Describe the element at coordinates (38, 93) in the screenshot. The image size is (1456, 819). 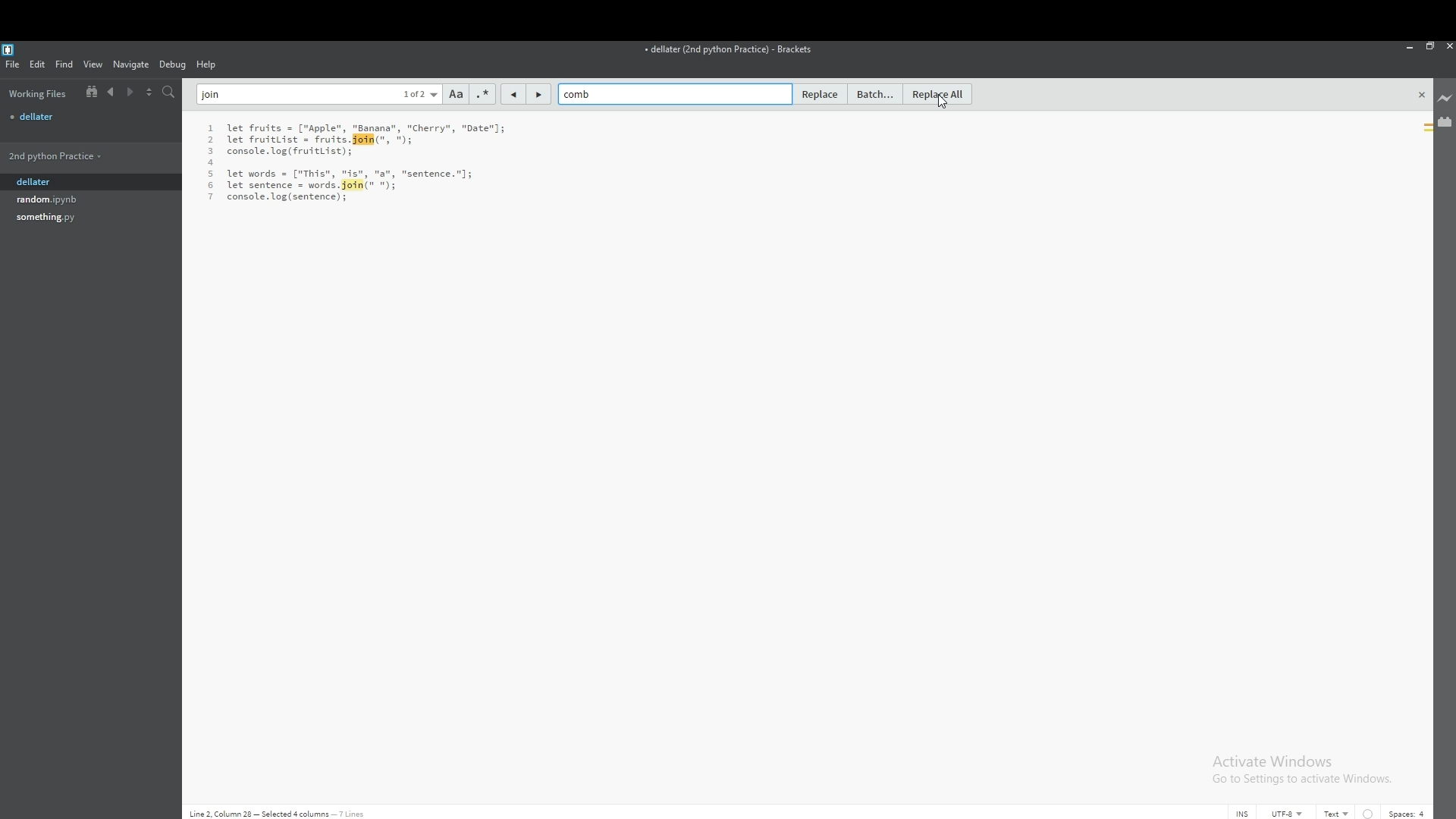
I see `working files` at that location.